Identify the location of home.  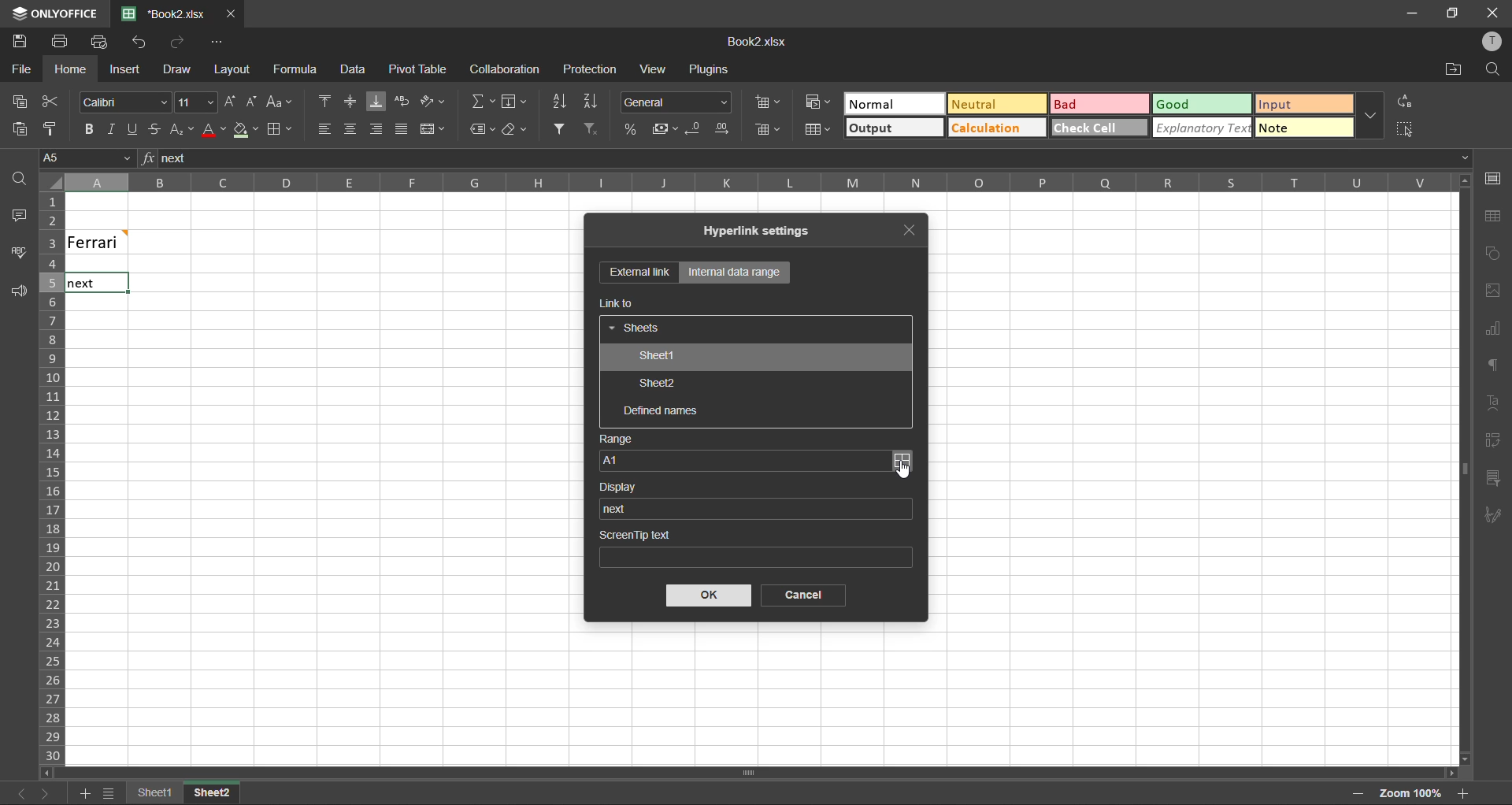
(66, 69).